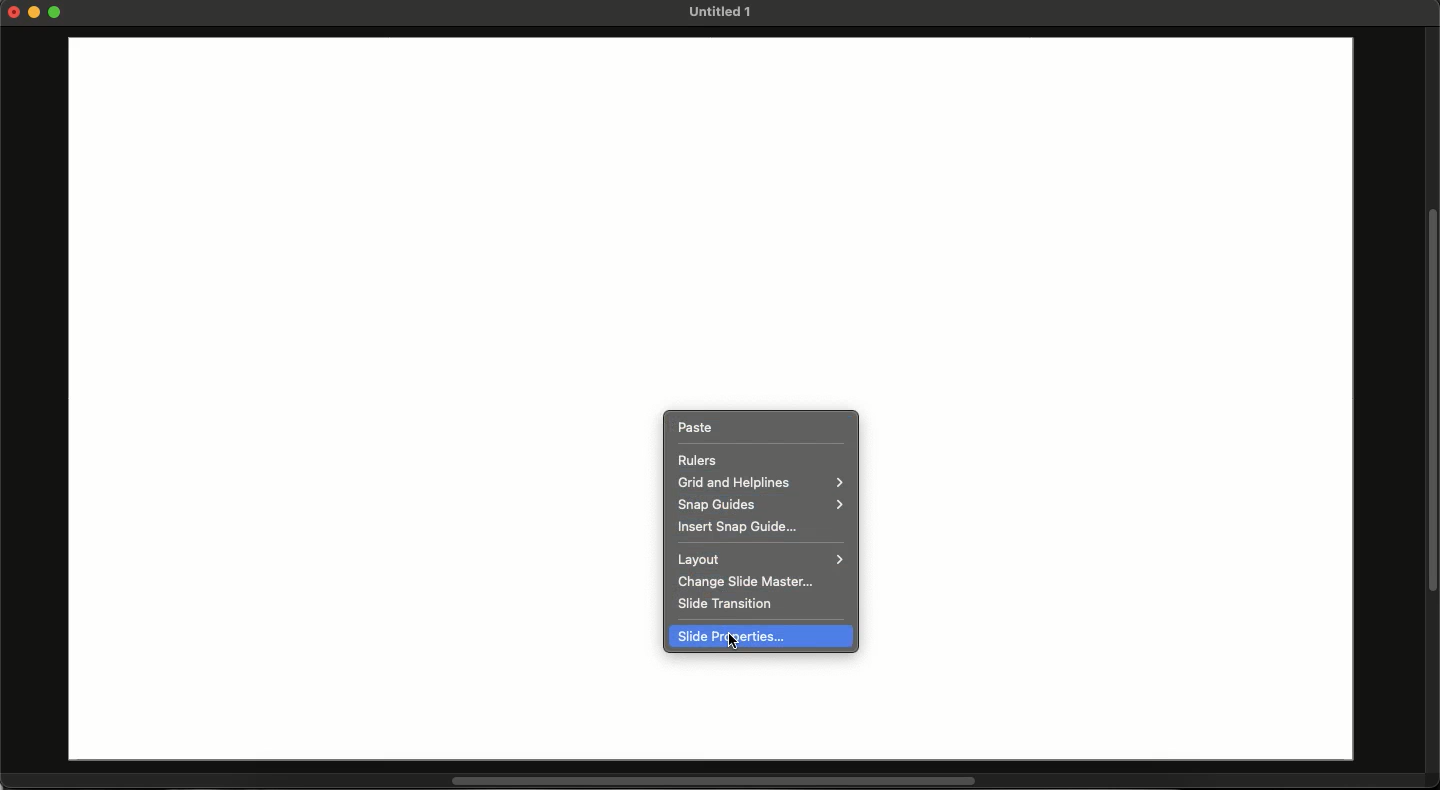 The width and height of the screenshot is (1440, 790). I want to click on Change slide master, so click(755, 582).